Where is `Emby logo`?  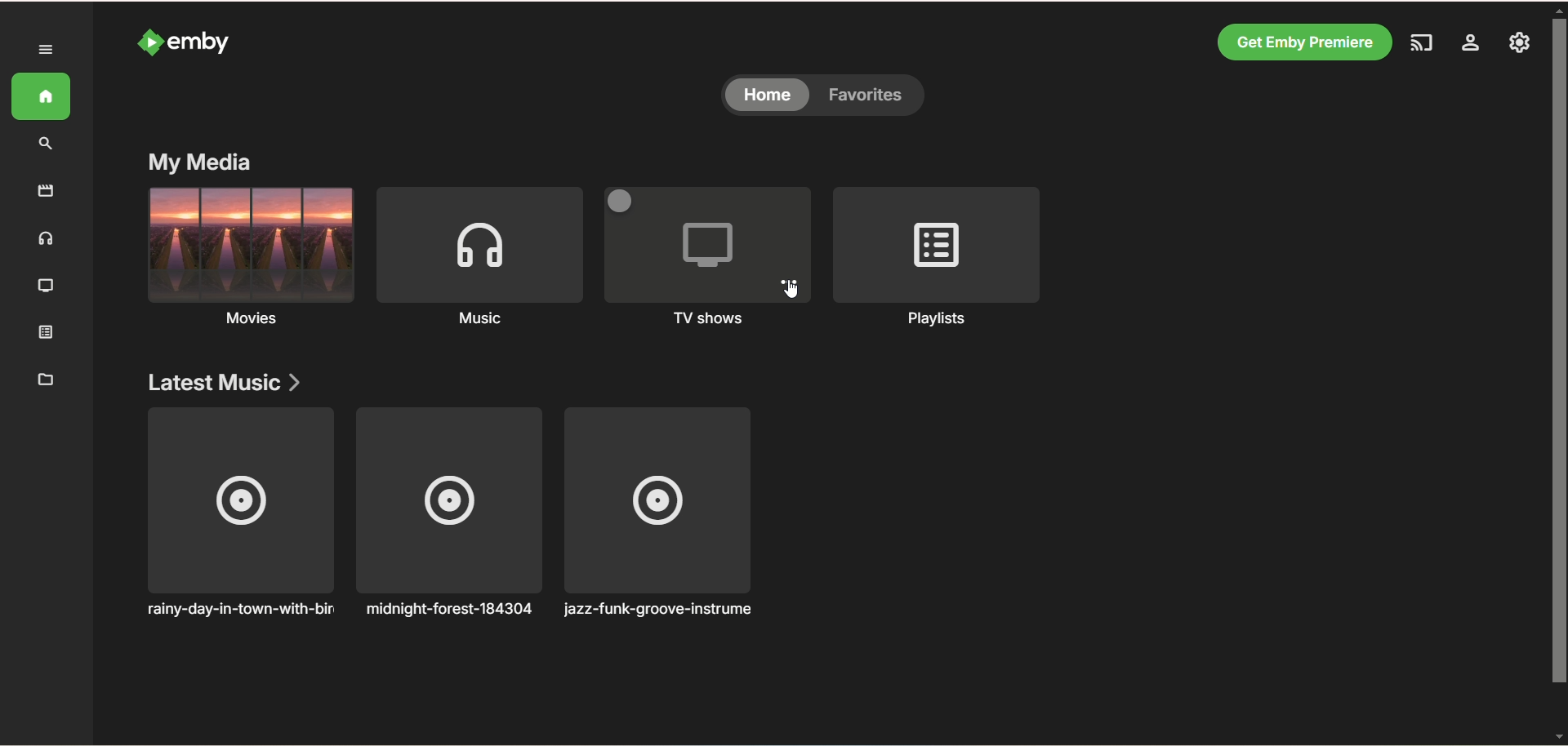
Emby logo is located at coordinates (149, 42).